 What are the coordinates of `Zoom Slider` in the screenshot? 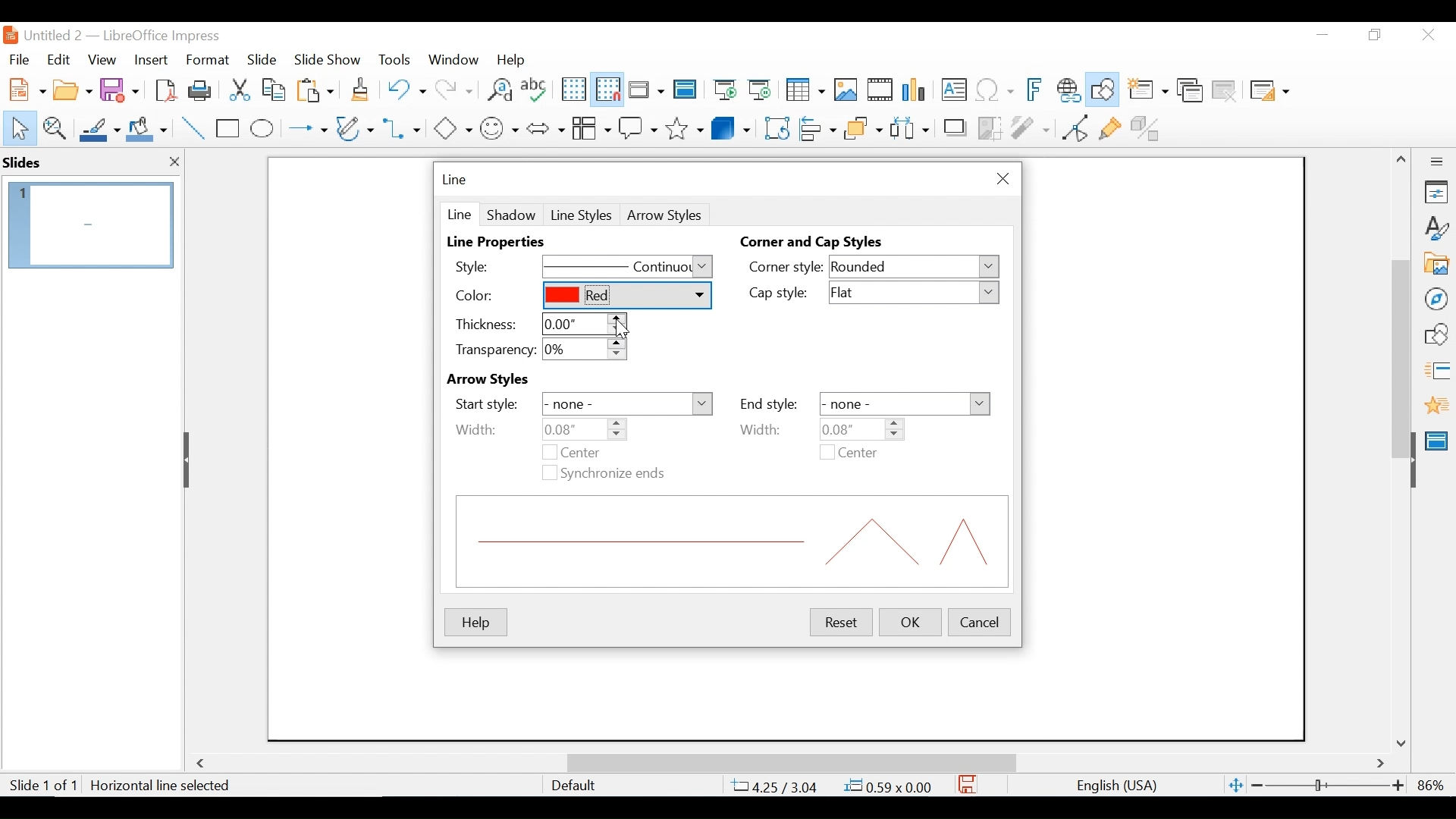 It's located at (1326, 786).